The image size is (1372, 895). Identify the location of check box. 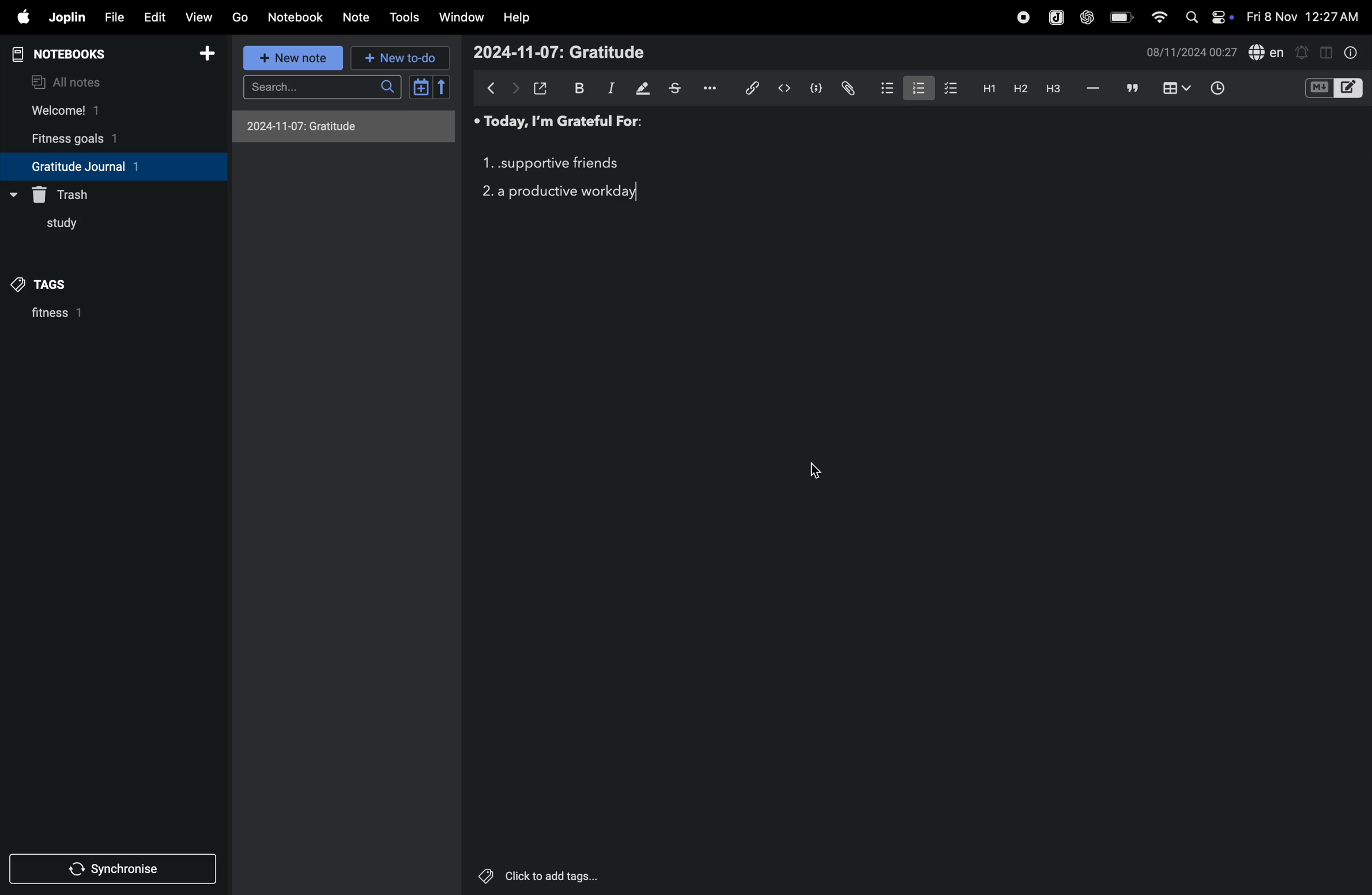
(948, 88).